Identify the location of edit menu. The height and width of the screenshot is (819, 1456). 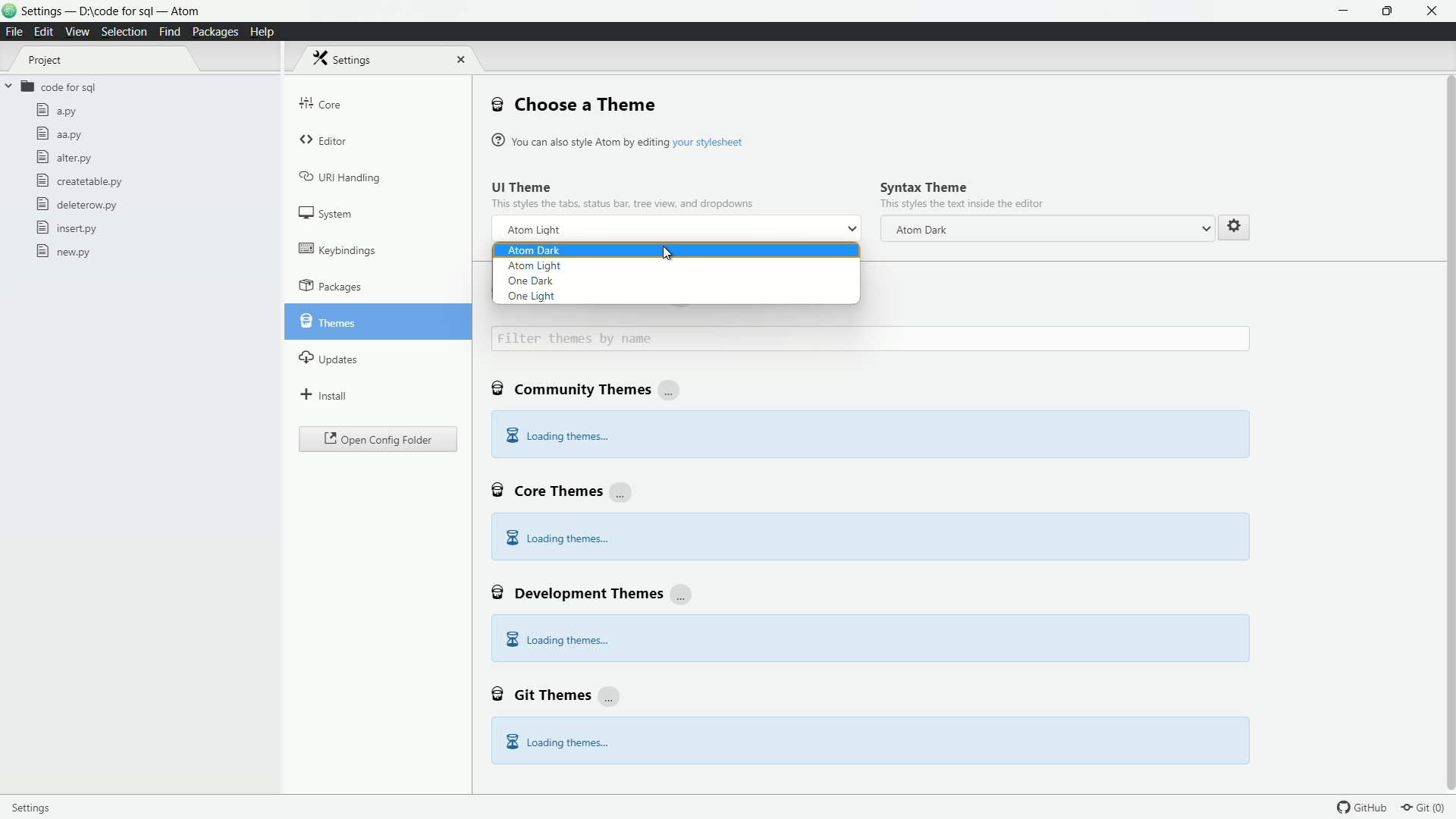
(44, 32).